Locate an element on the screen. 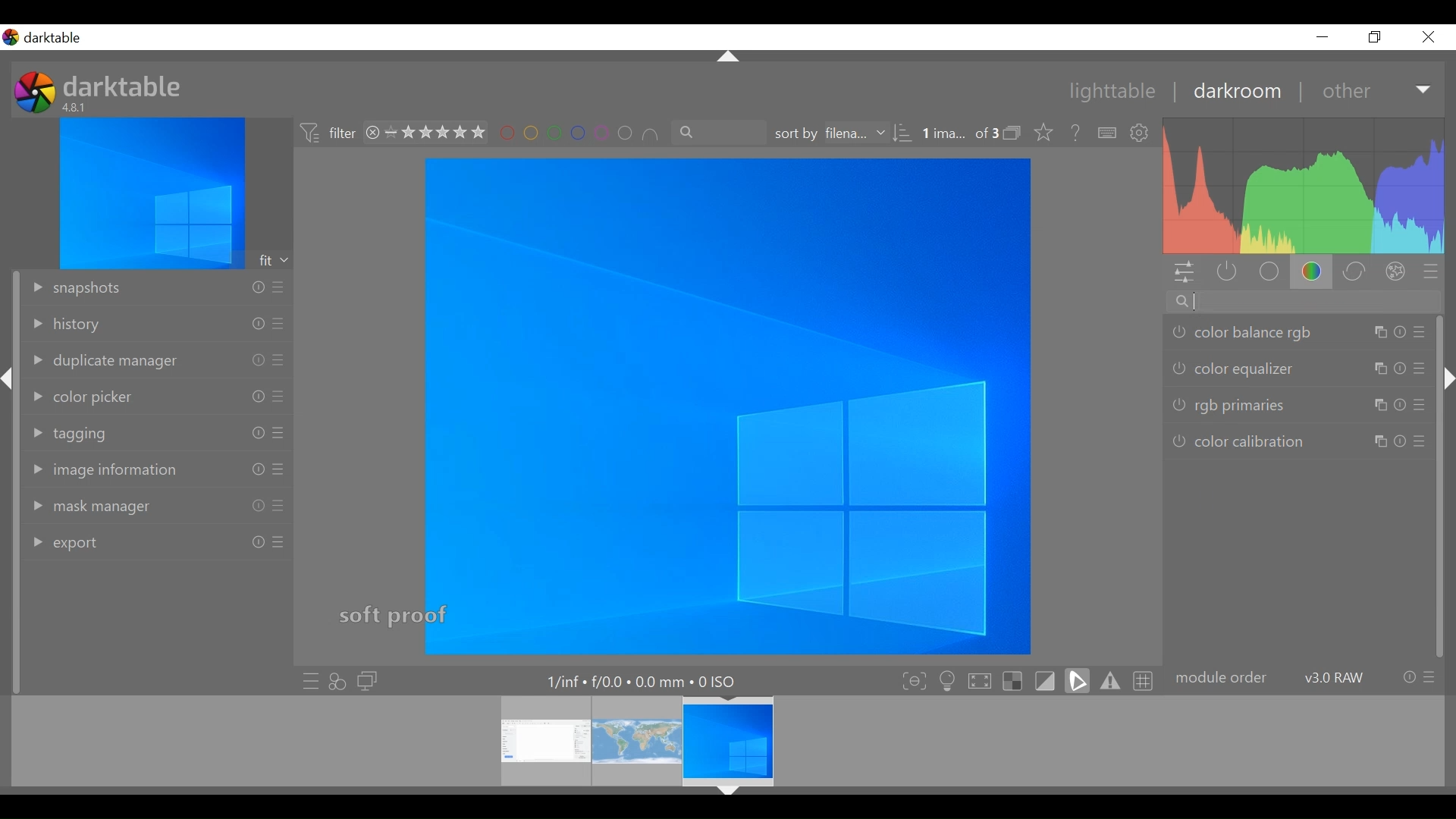 The height and width of the screenshot is (819, 1456). mask manager is located at coordinates (84, 508).